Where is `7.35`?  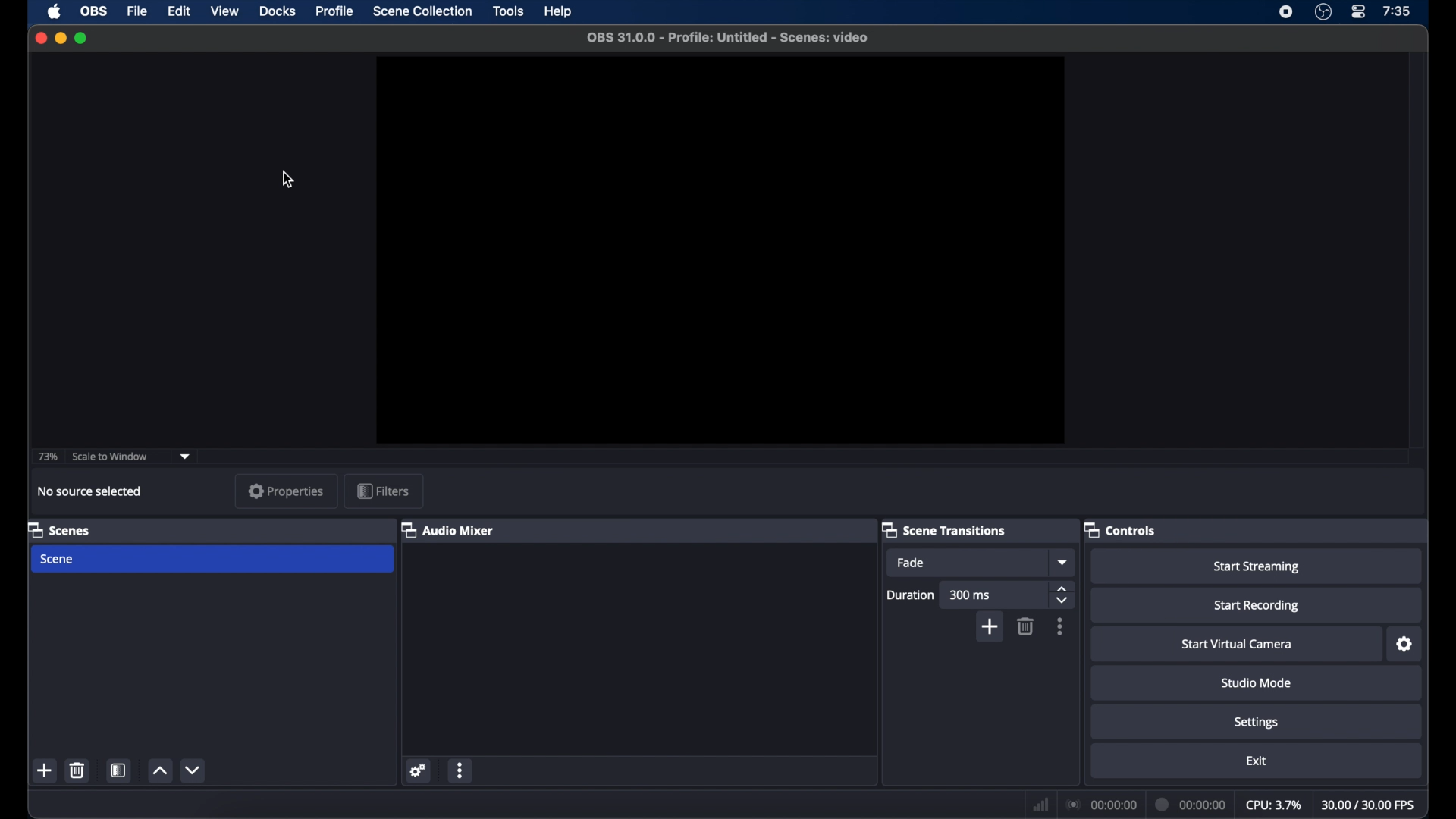
7.35 is located at coordinates (1397, 12).